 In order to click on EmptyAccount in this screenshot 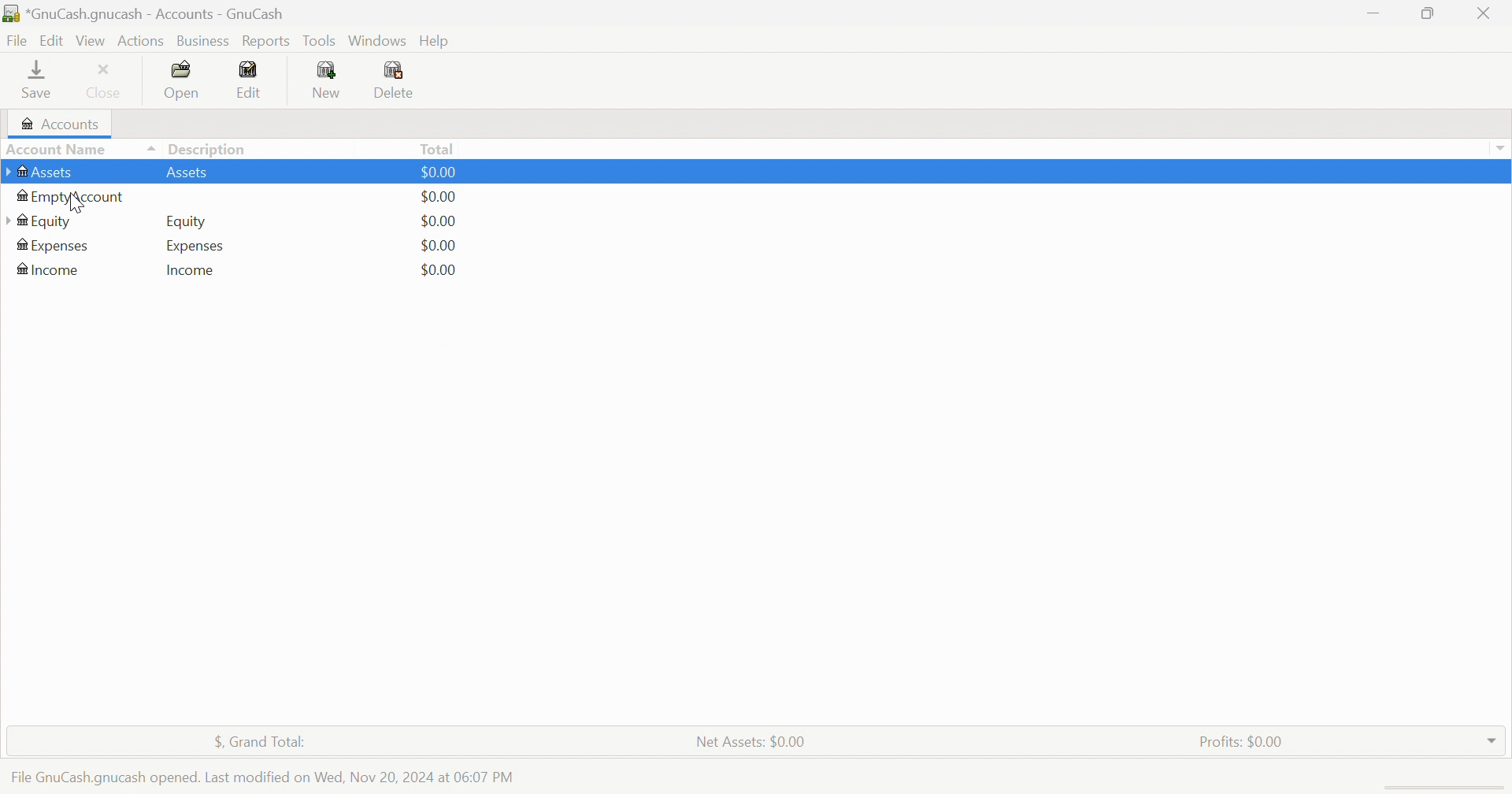, I will do `click(72, 198)`.